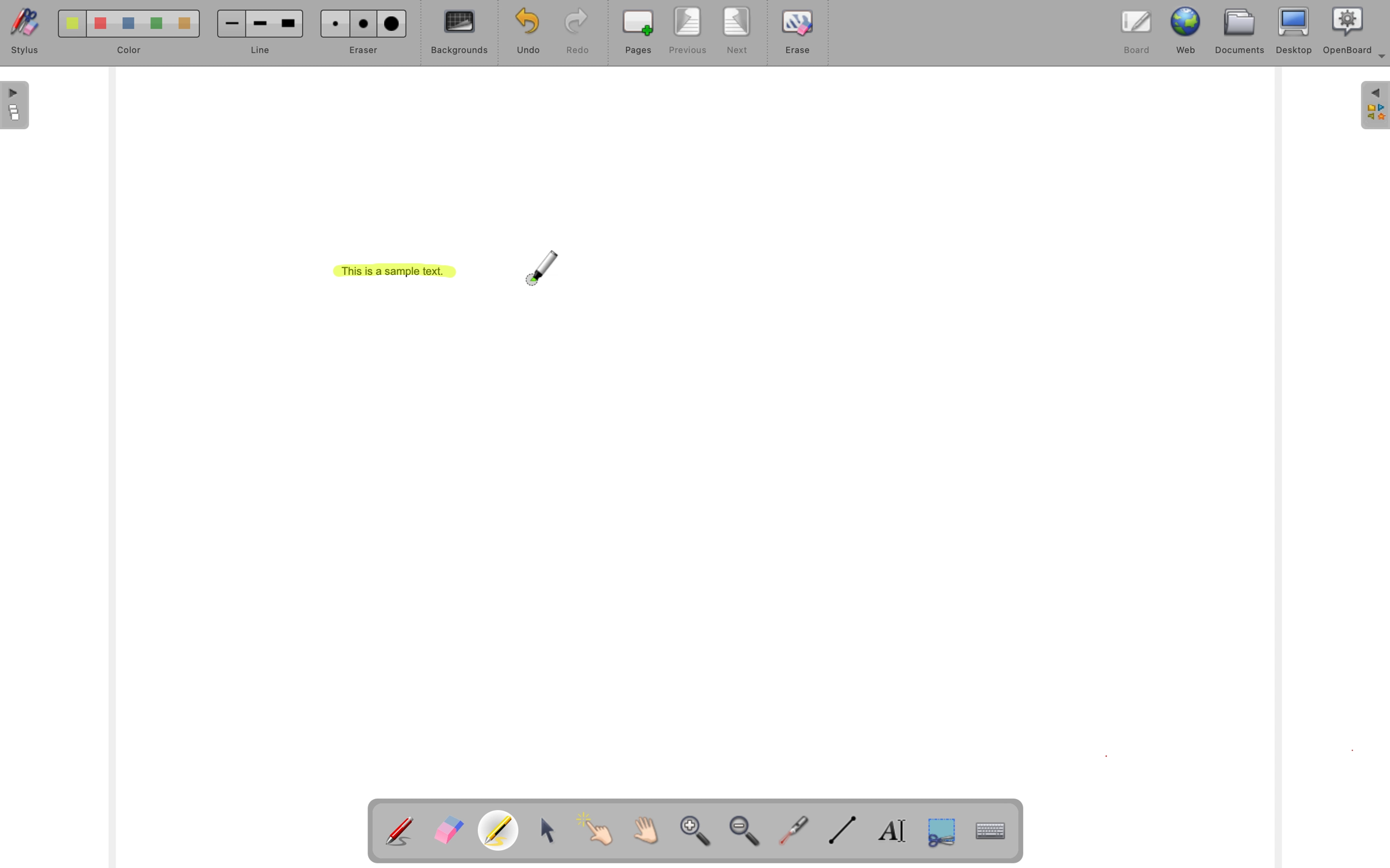 The image size is (1390, 868). I want to click on Color 3, so click(129, 24).